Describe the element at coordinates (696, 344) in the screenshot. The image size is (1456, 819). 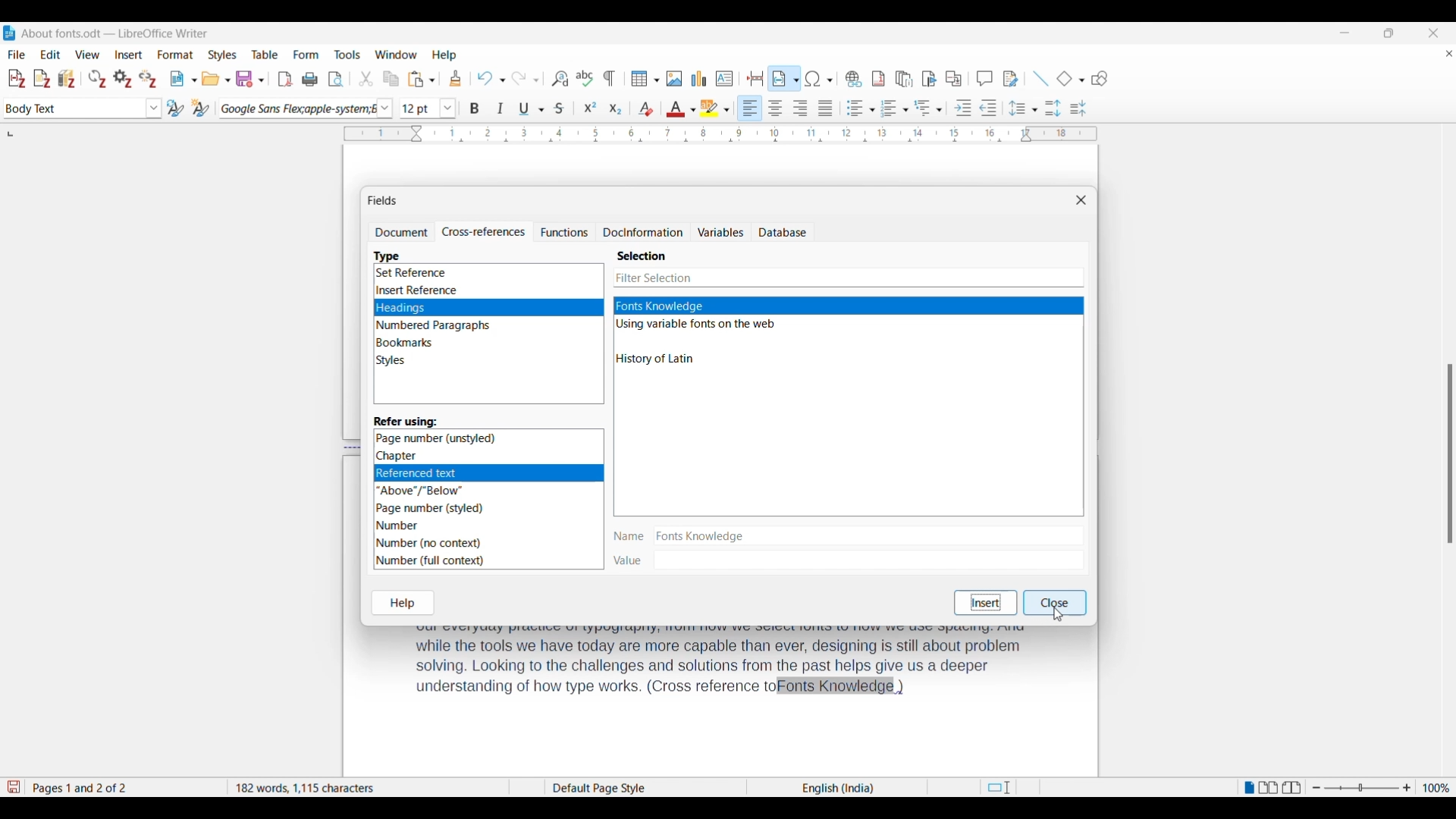
I see `Other selection options` at that location.